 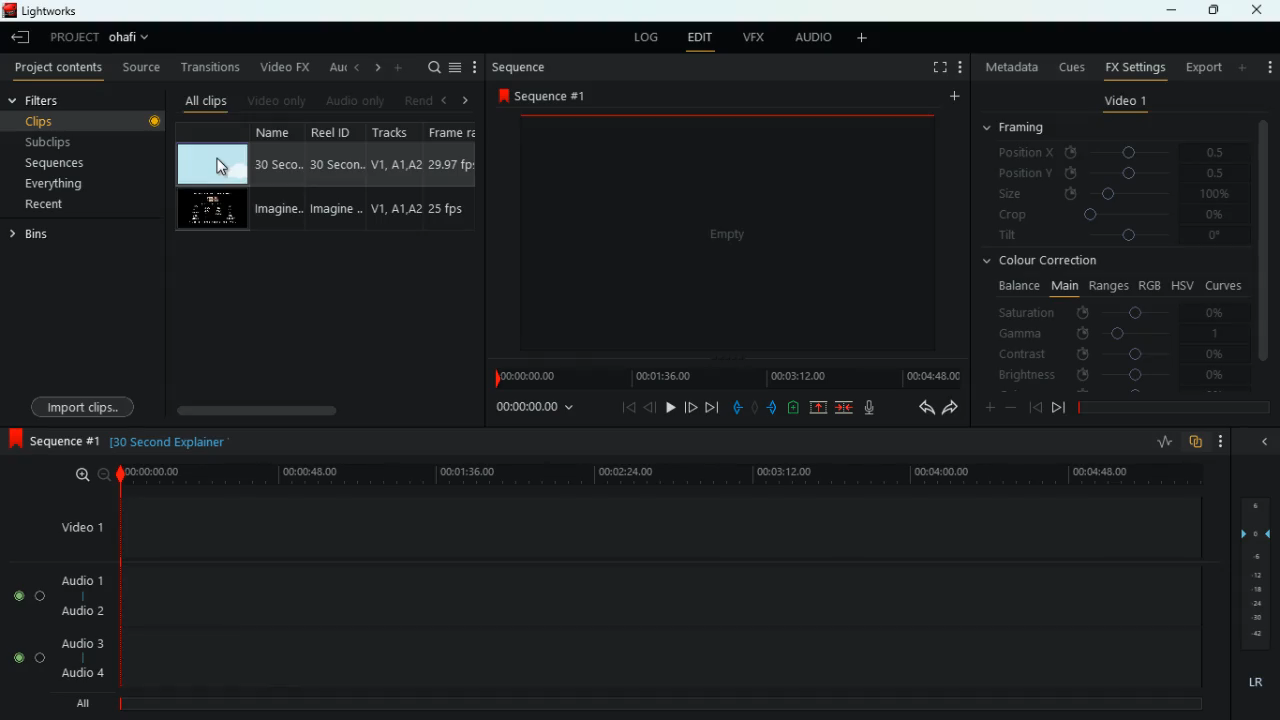 What do you see at coordinates (59, 184) in the screenshot?
I see `everything` at bounding box center [59, 184].